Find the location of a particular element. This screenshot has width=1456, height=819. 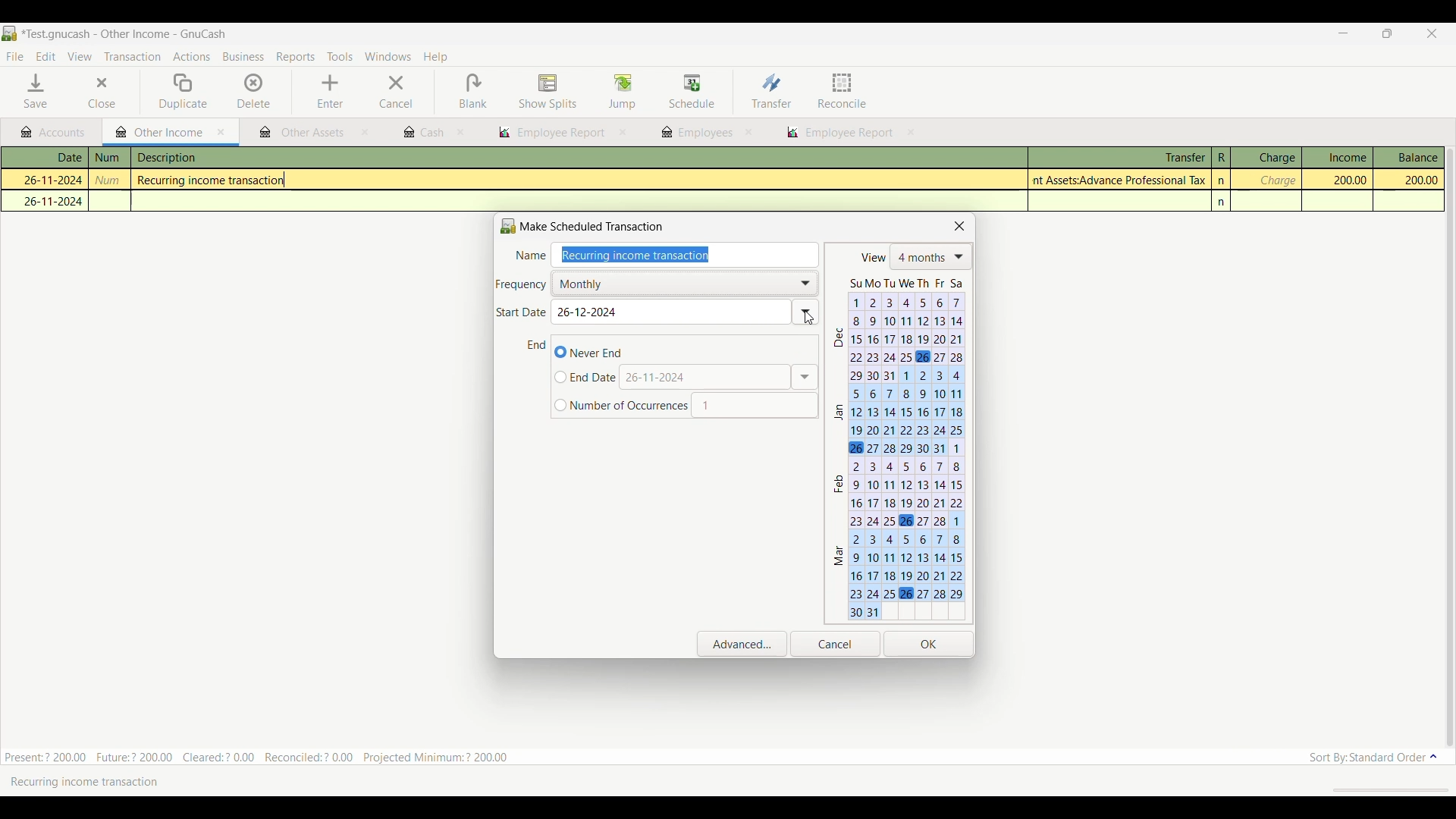

Close interface is located at coordinates (1429, 35).